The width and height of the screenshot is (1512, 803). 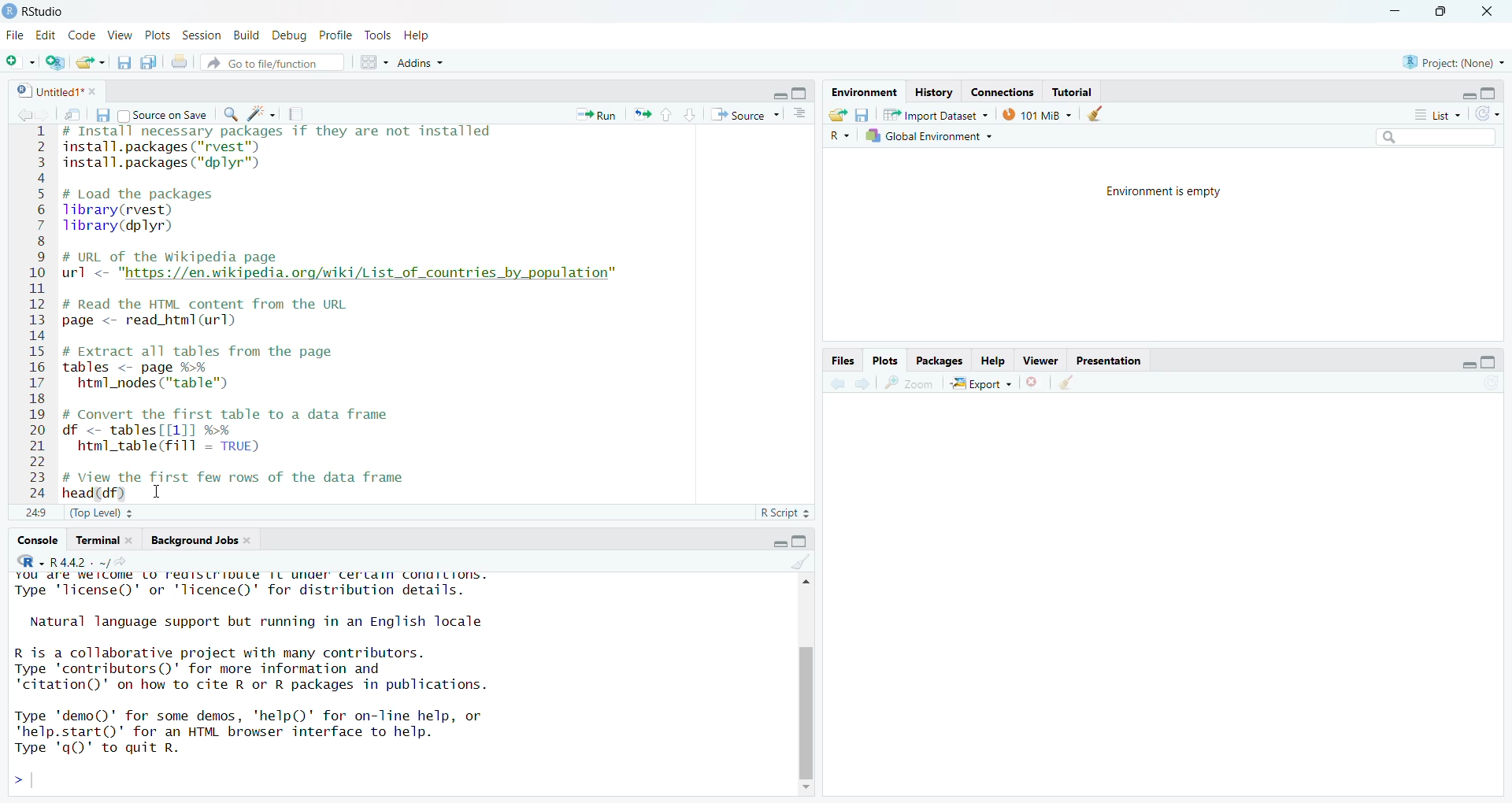 I want to click on Help, so click(x=419, y=37).